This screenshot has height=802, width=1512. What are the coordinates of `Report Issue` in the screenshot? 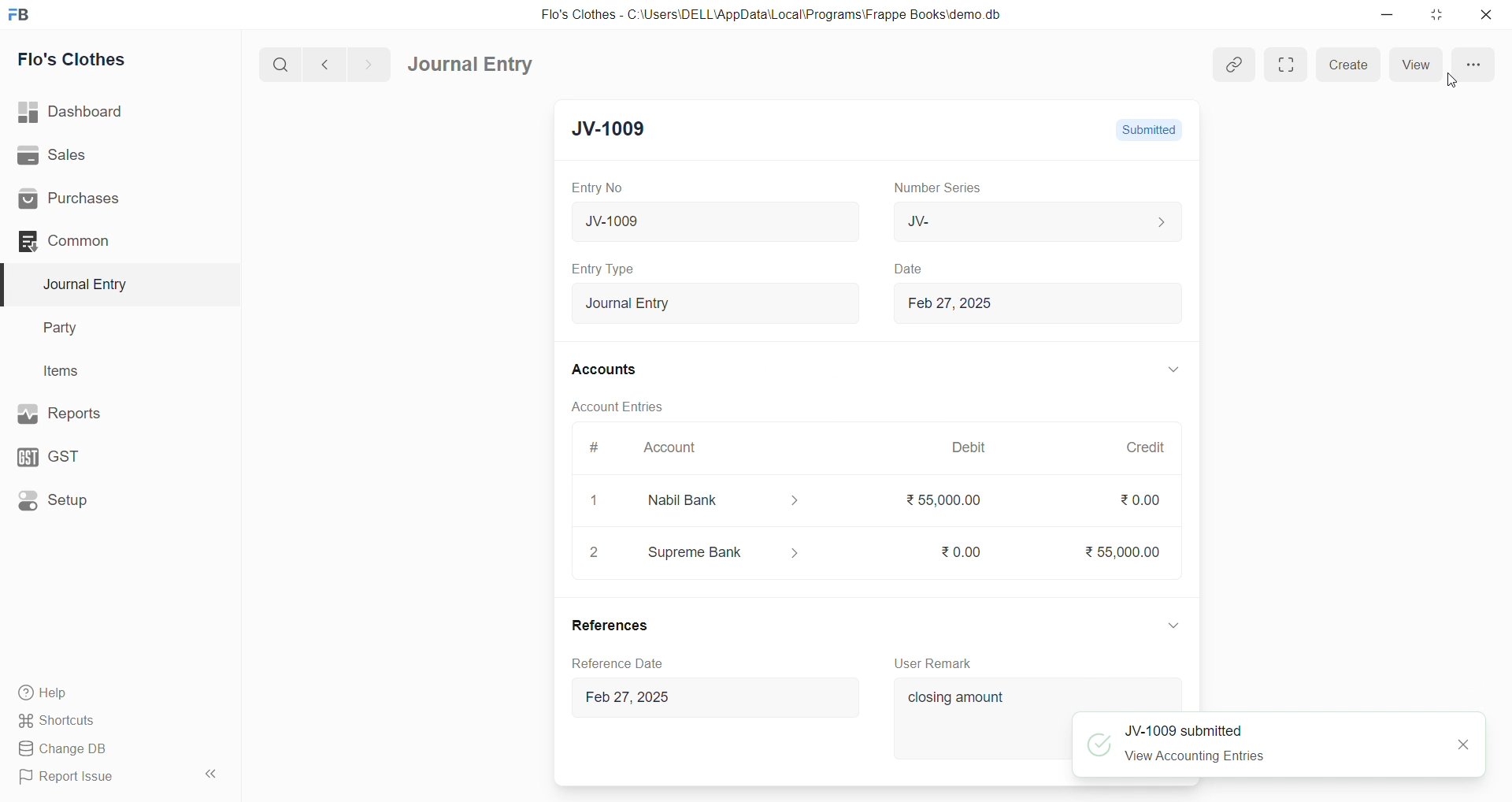 It's located at (94, 780).